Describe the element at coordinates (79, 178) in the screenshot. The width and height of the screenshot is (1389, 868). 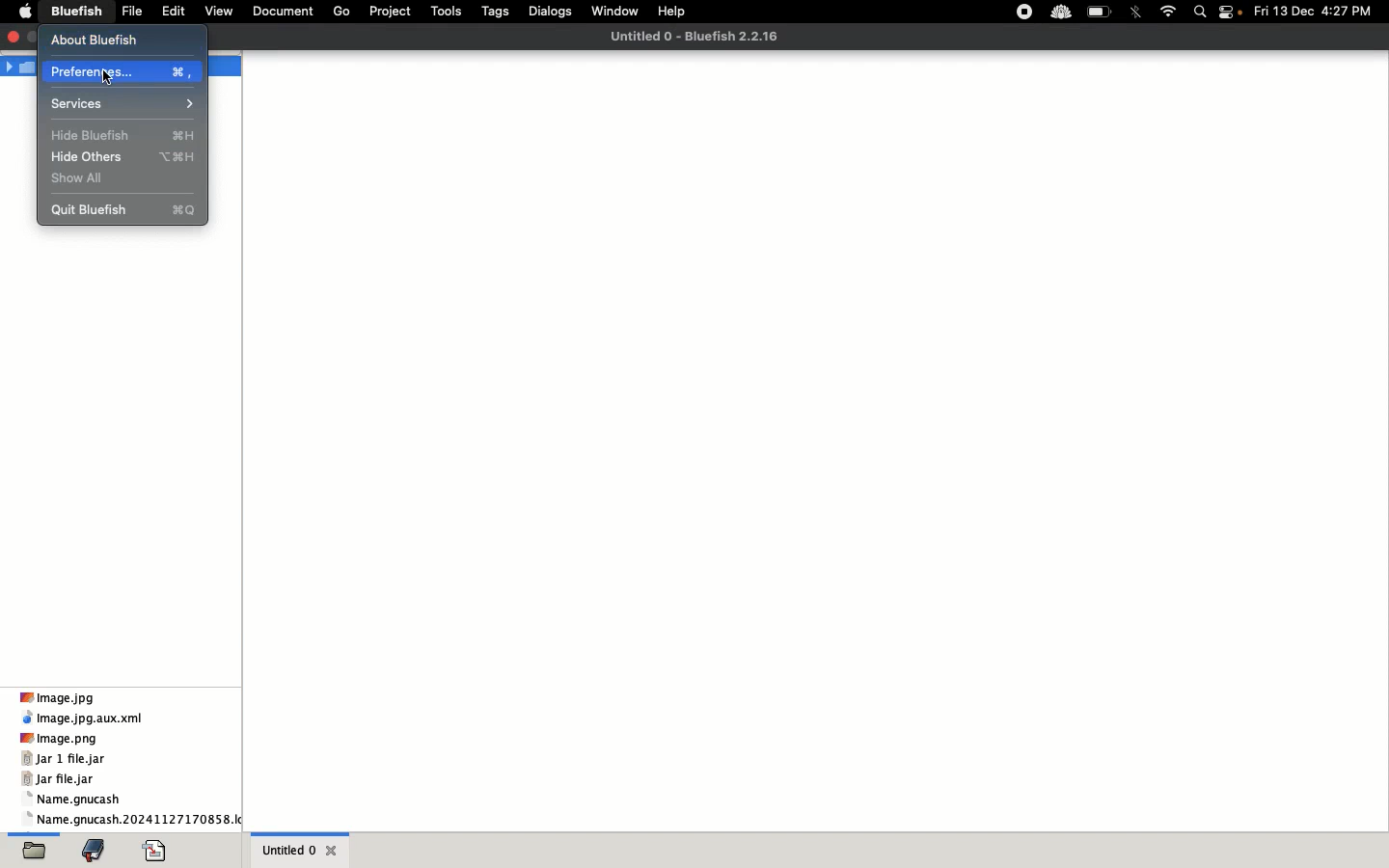
I see `Show all` at that location.